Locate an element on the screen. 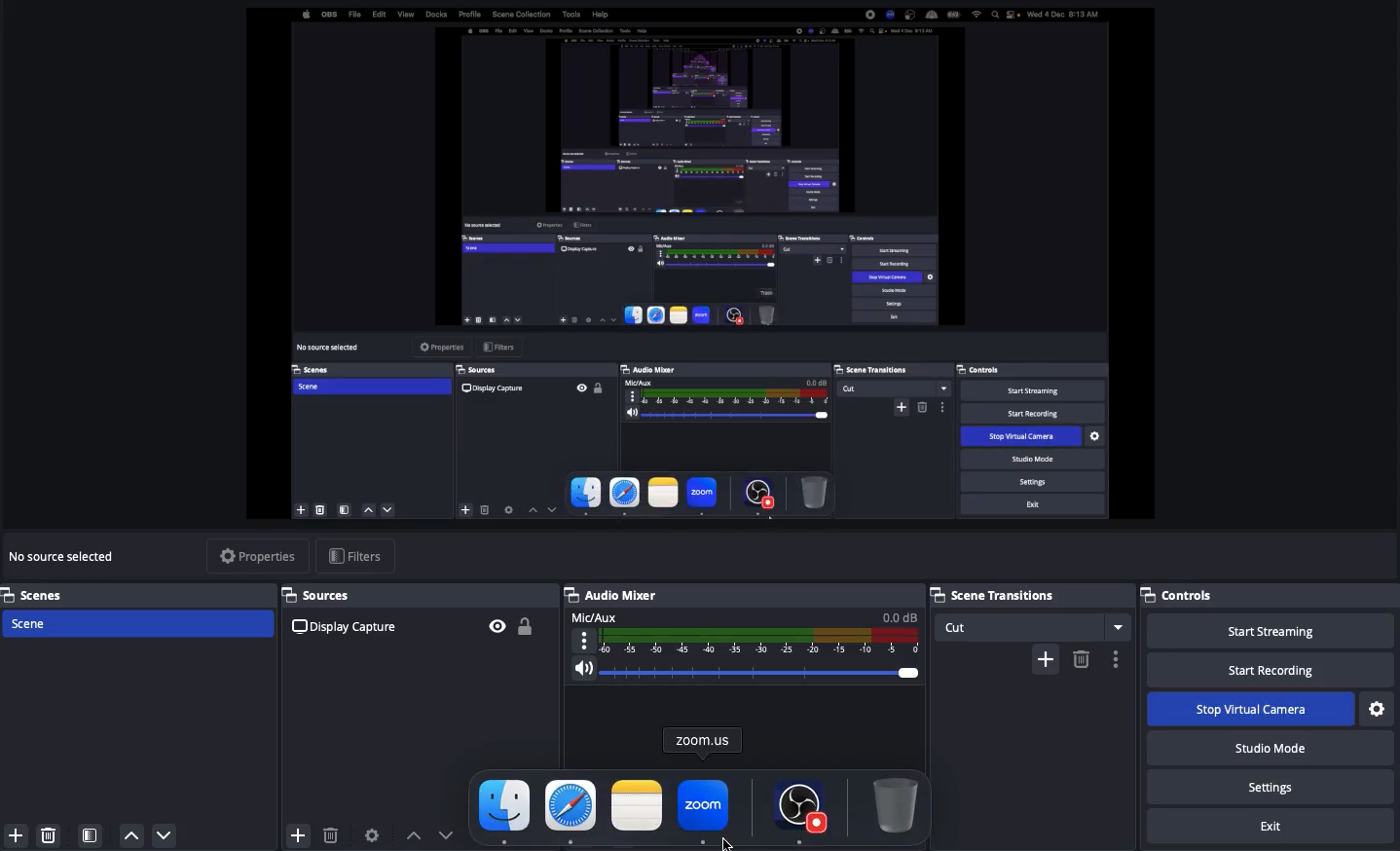 This screenshot has width=1400, height=851. delete is located at coordinates (1081, 666).